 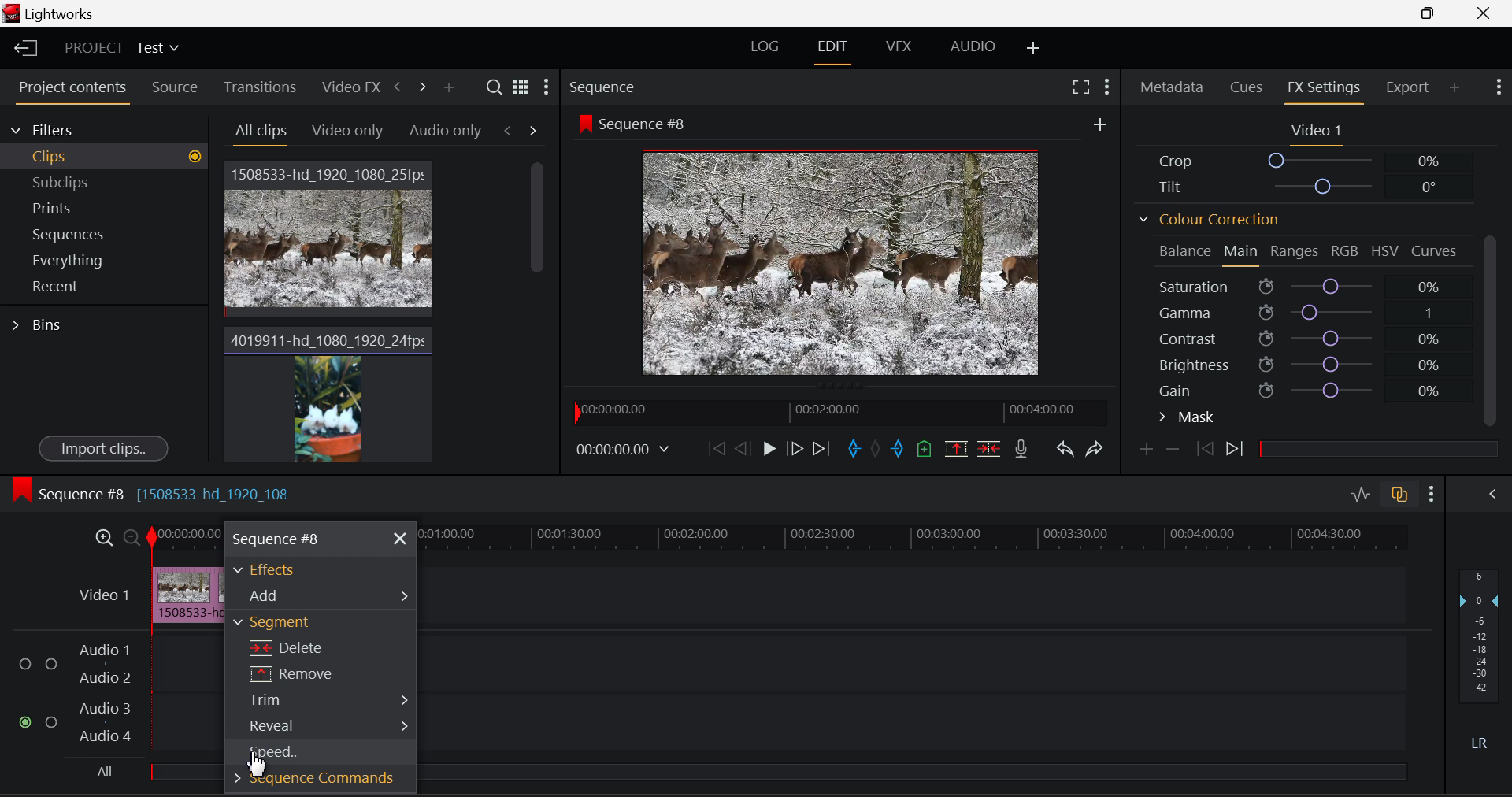 I want to click on Sequences, so click(x=112, y=235).